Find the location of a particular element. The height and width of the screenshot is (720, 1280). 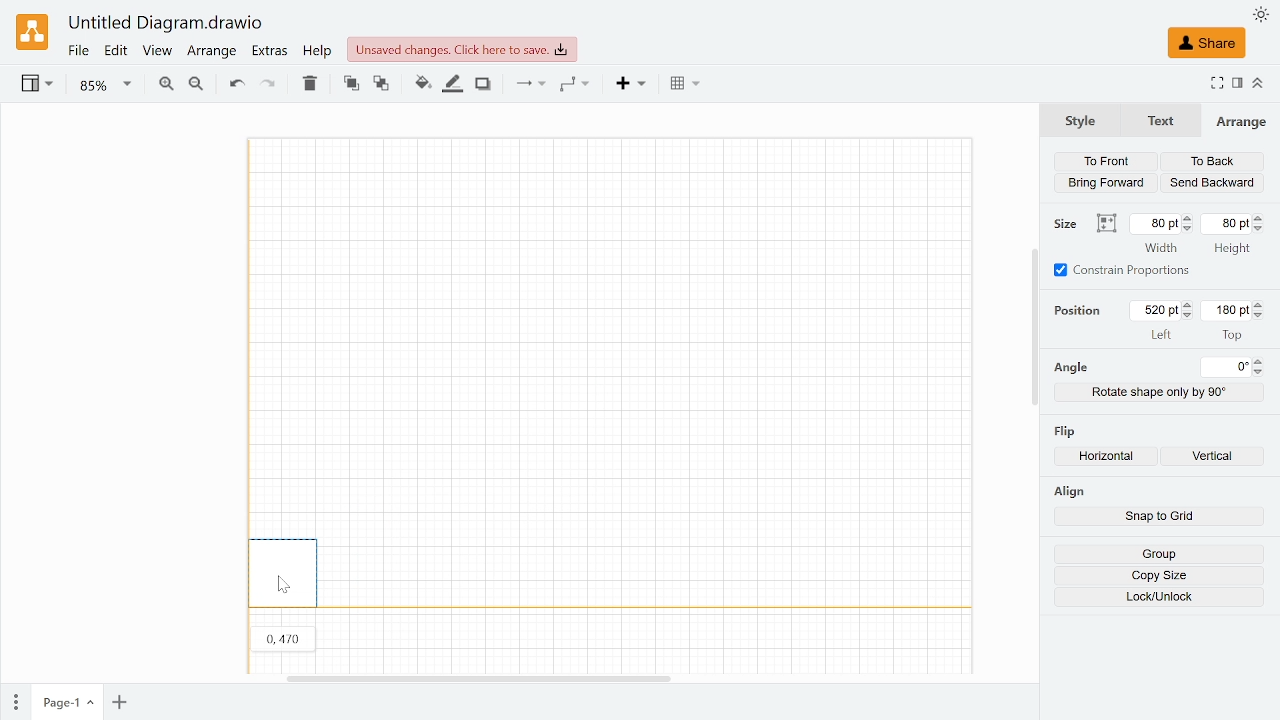

size is located at coordinates (1068, 224).